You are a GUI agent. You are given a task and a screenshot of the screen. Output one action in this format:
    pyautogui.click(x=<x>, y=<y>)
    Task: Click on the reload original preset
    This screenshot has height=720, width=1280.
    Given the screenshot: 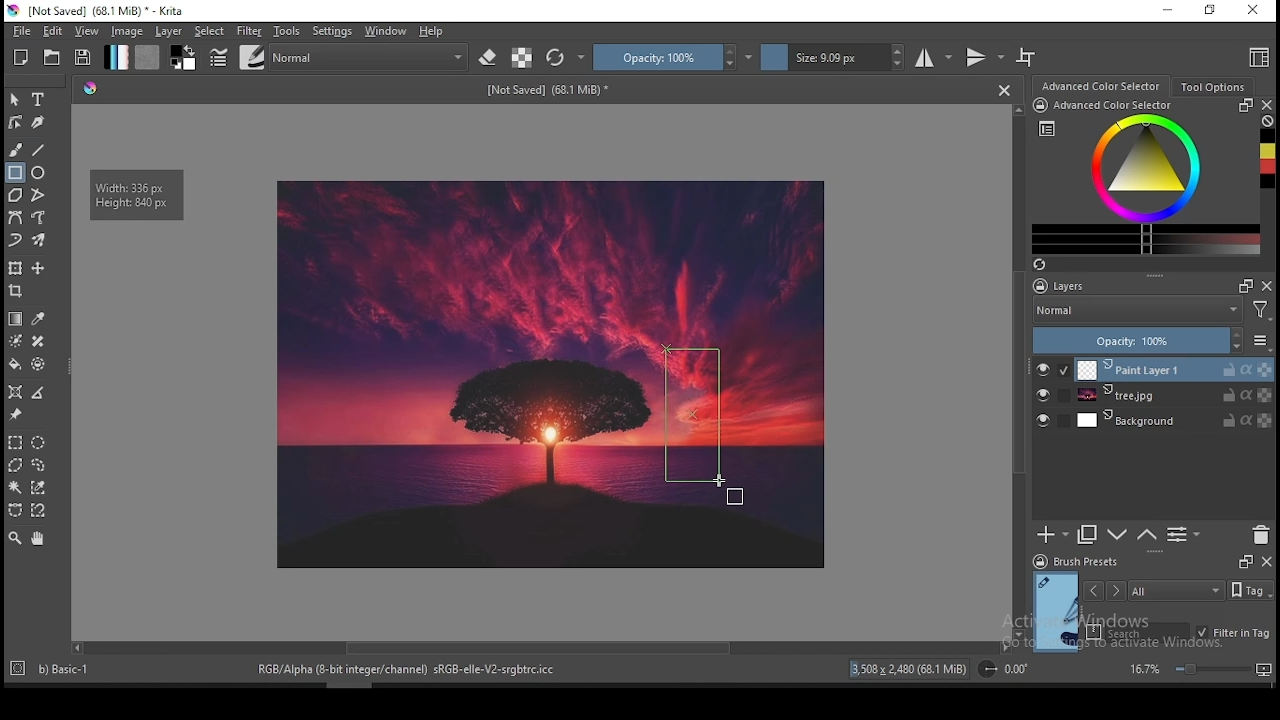 What is the action you would take?
    pyautogui.click(x=566, y=58)
    